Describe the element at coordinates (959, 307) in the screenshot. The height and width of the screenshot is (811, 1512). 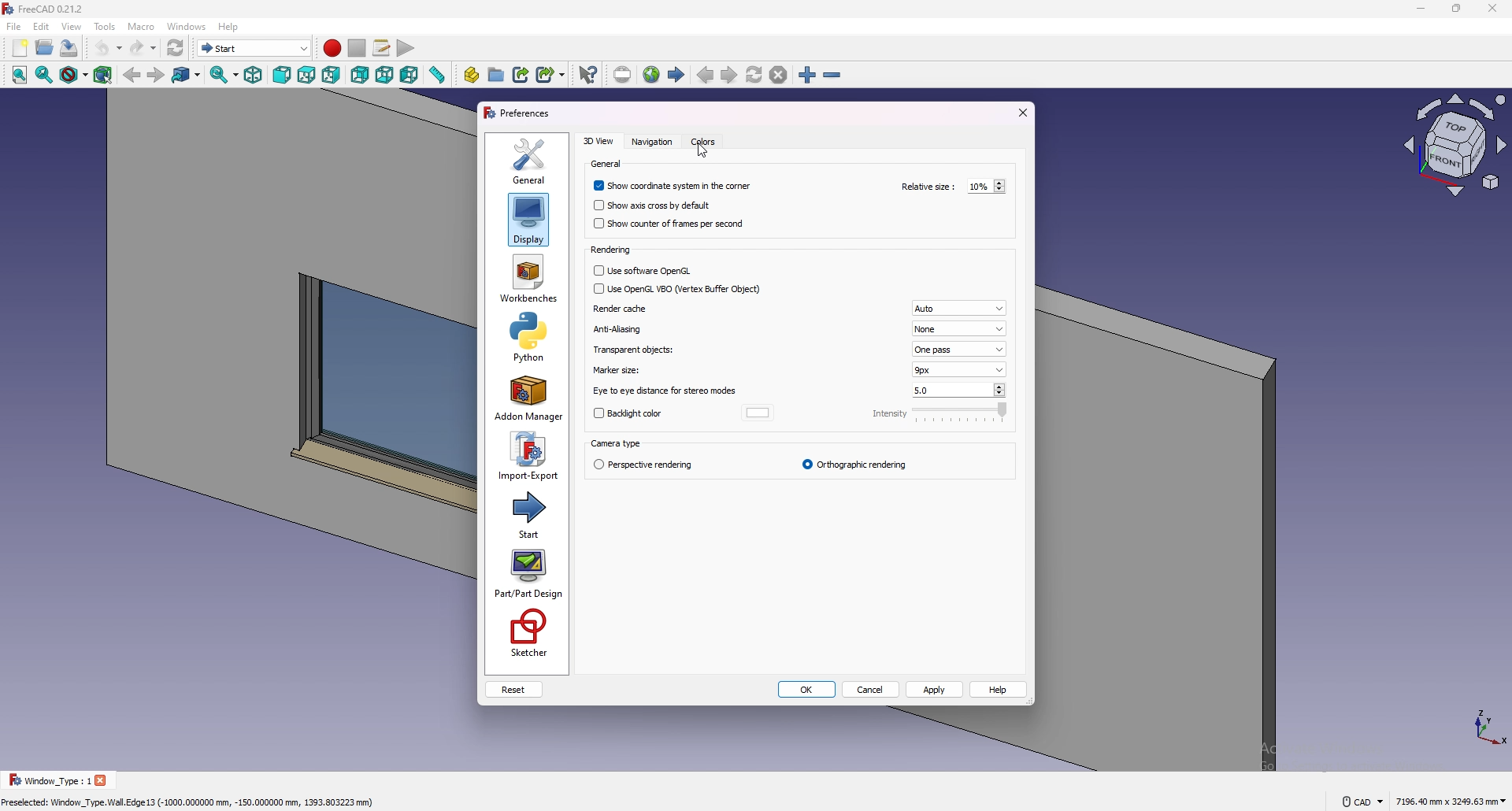
I see `Auto` at that location.